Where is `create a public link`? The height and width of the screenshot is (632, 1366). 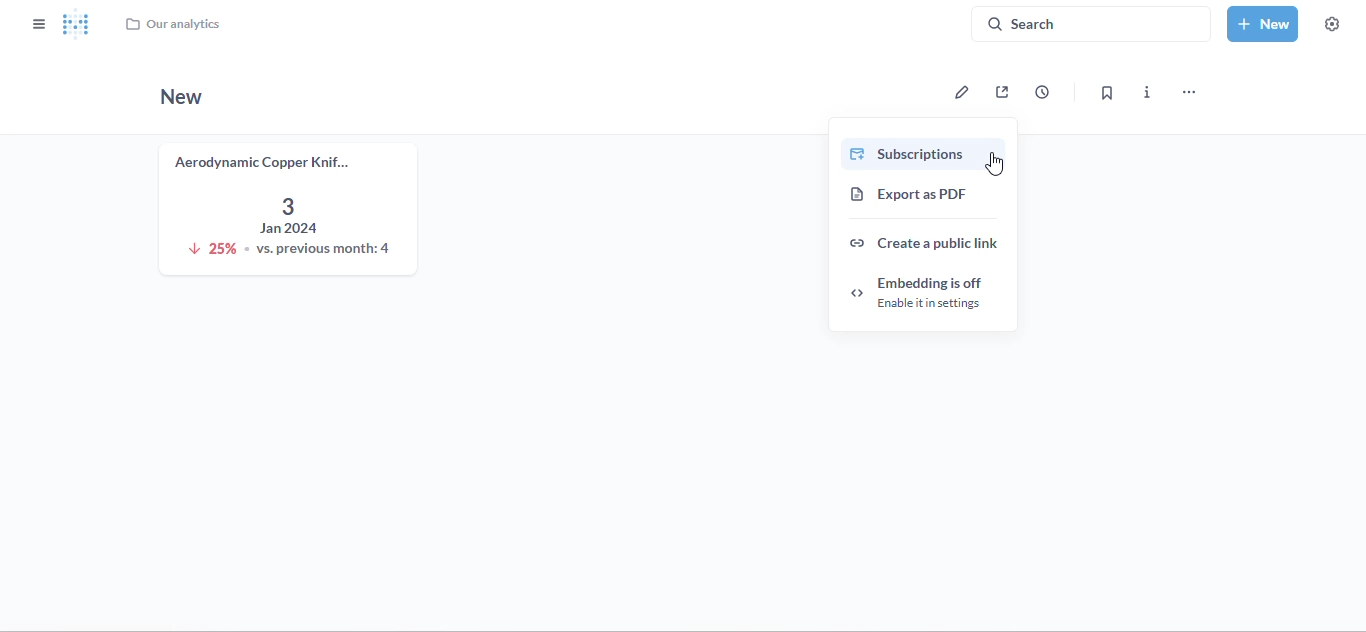 create a public link is located at coordinates (923, 244).